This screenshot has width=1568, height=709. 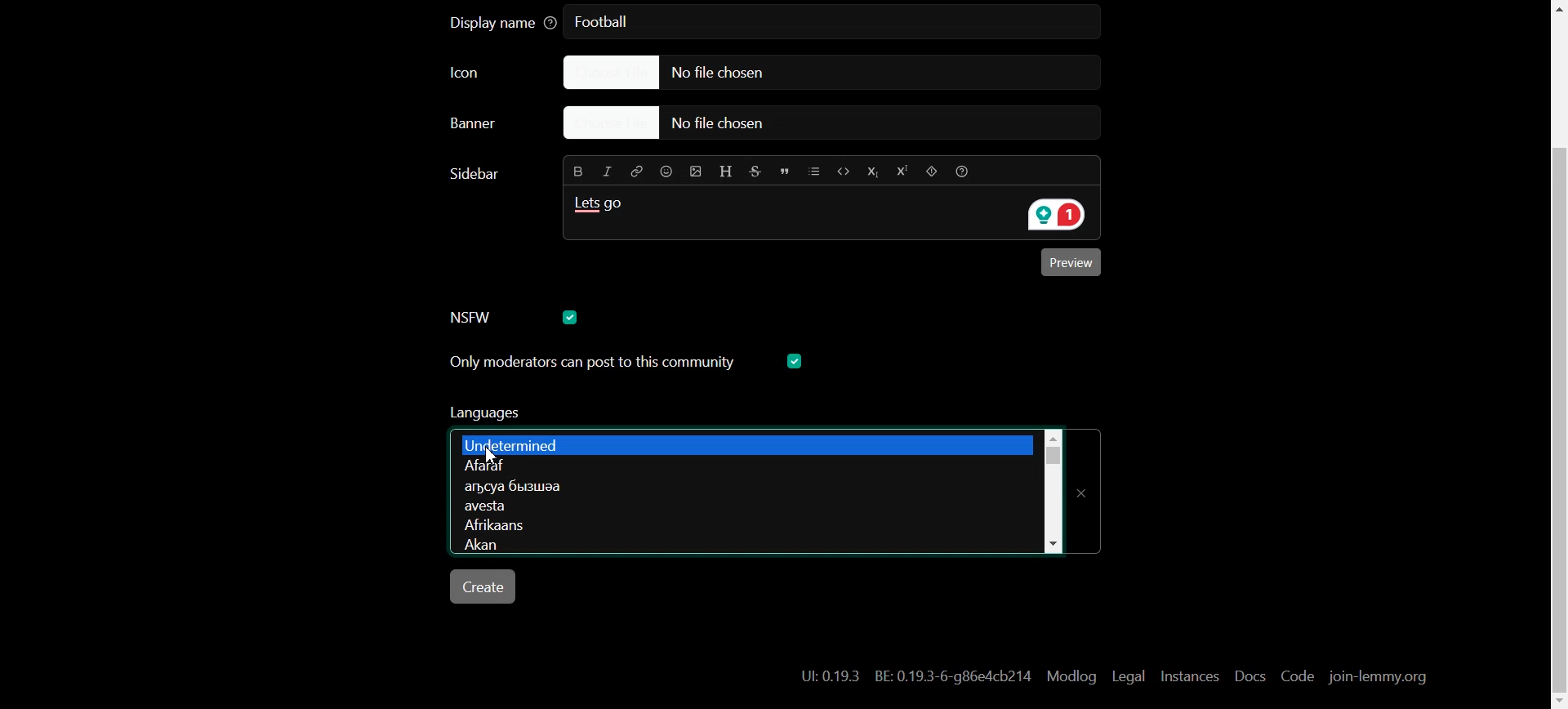 I want to click on Docs, so click(x=1248, y=676).